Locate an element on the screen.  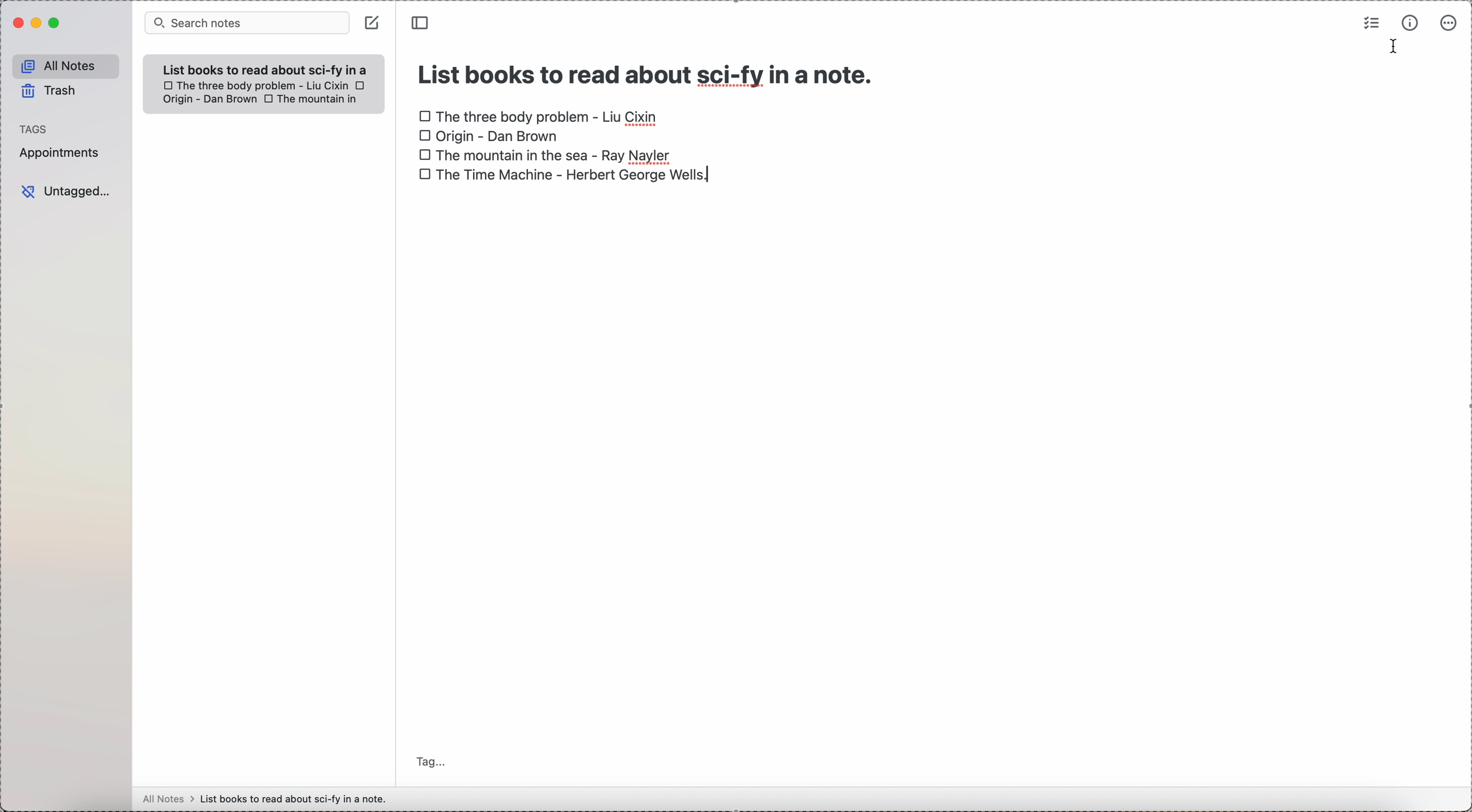
check list is located at coordinates (1371, 23).